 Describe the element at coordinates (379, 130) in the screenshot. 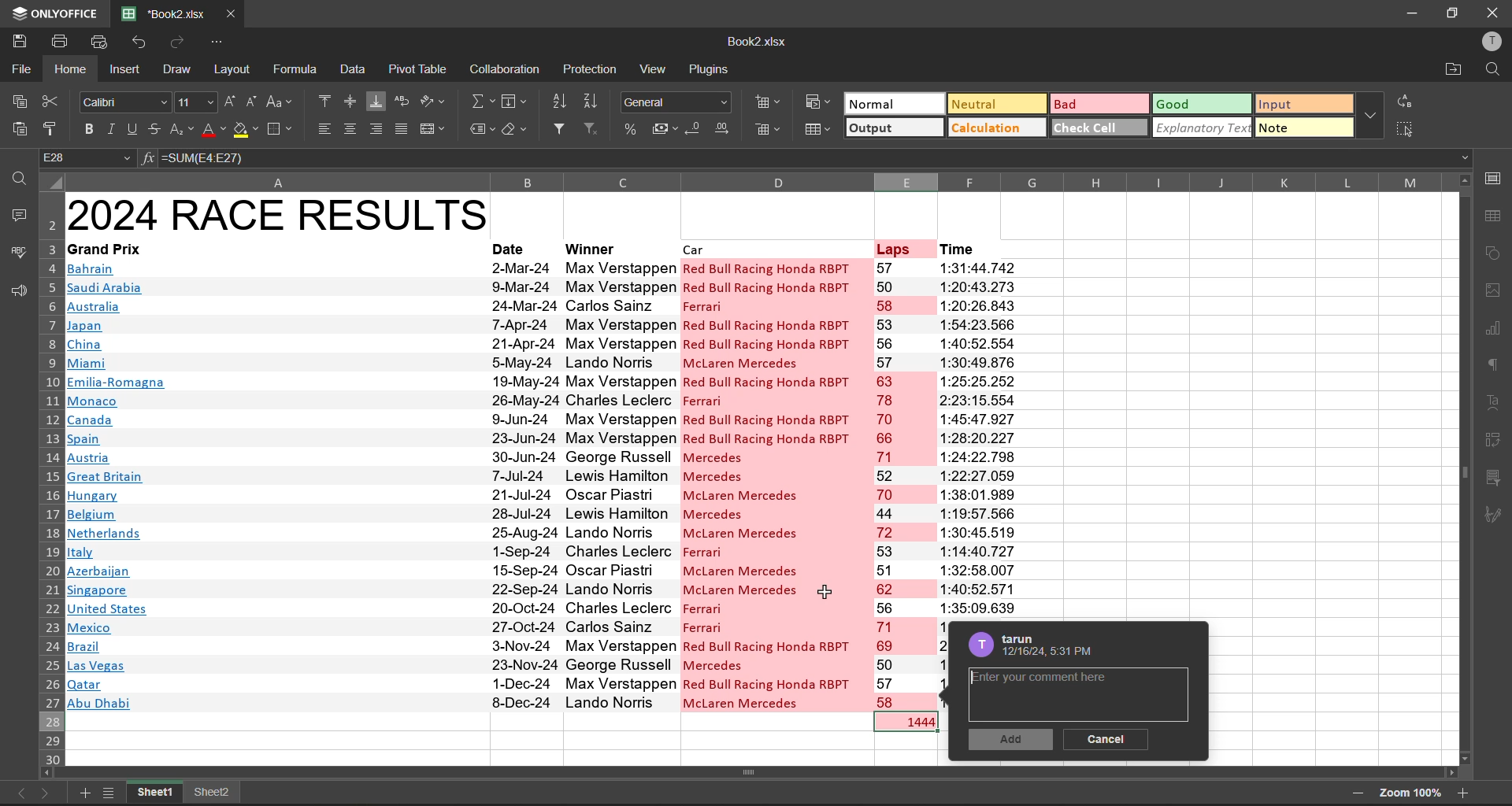

I see `align right` at that location.